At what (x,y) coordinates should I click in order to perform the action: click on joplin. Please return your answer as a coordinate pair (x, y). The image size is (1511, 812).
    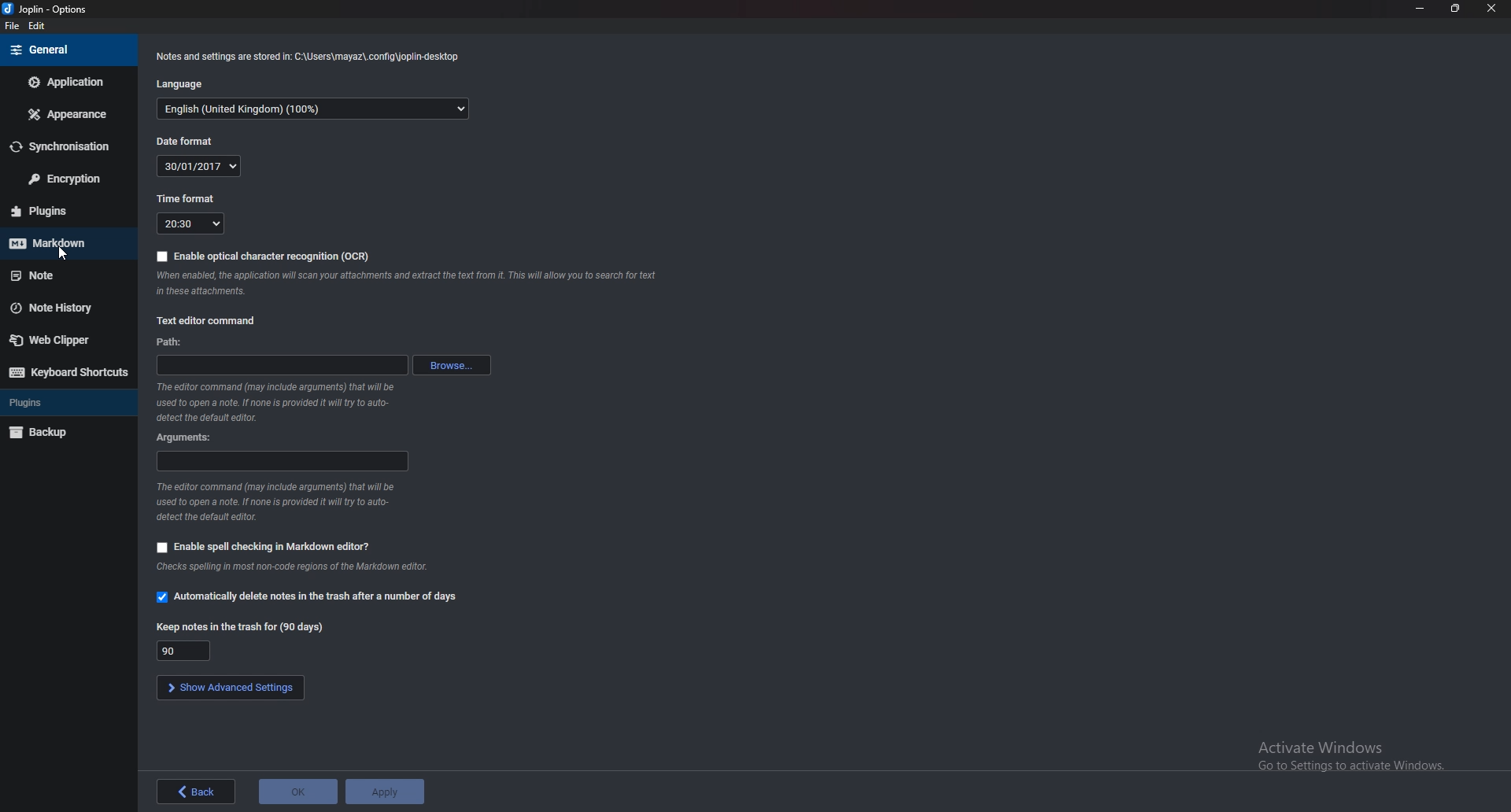
    Looking at the image, I should click on (49, 9).